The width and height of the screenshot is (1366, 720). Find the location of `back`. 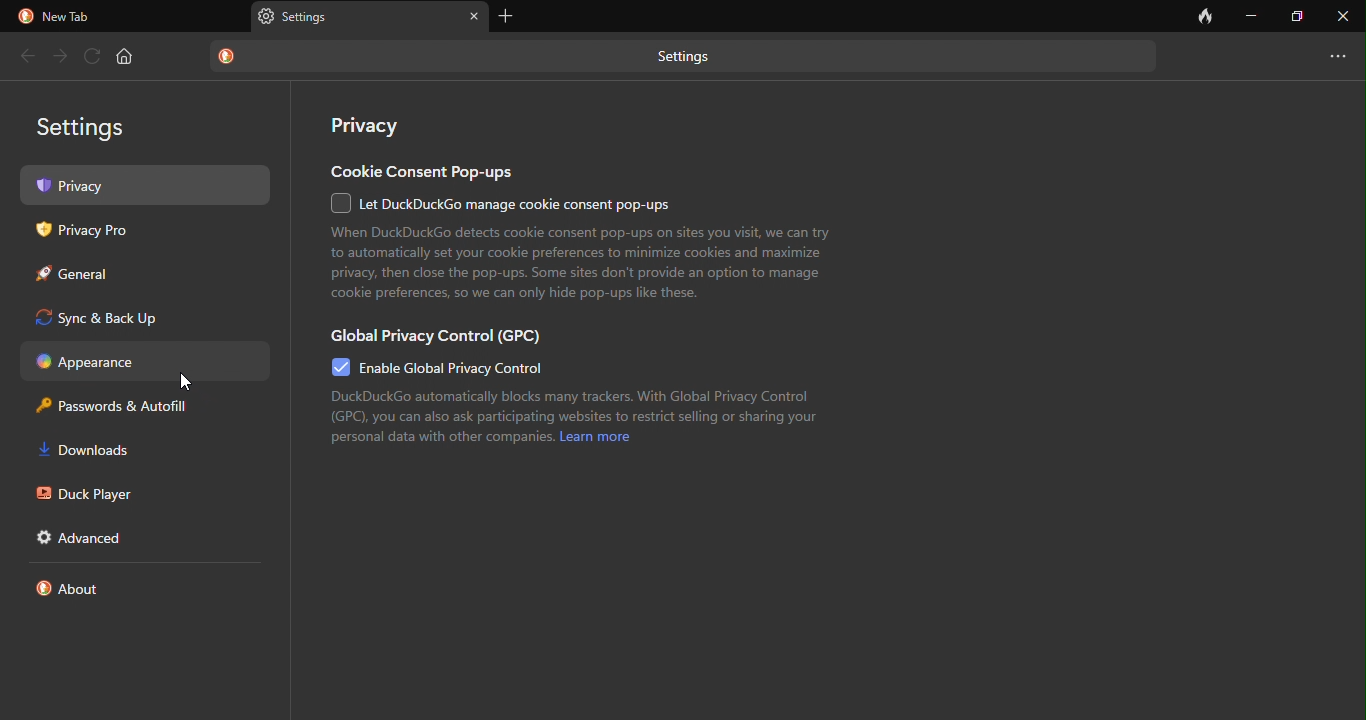

back is located at coordinates (26, 56).